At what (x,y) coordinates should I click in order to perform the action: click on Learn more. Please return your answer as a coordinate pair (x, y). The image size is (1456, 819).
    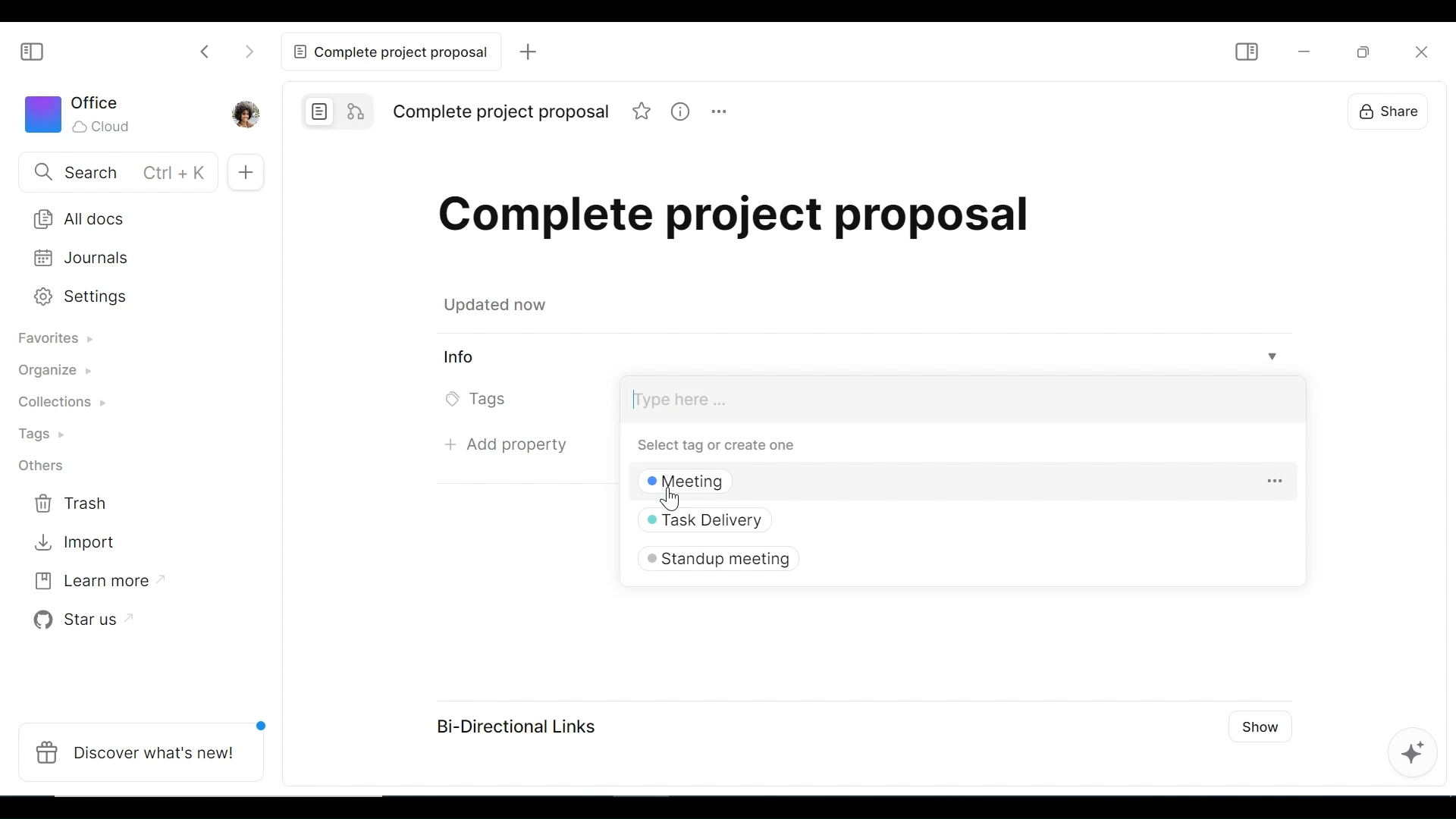
    Looking at the image, I should click on (99, 579).